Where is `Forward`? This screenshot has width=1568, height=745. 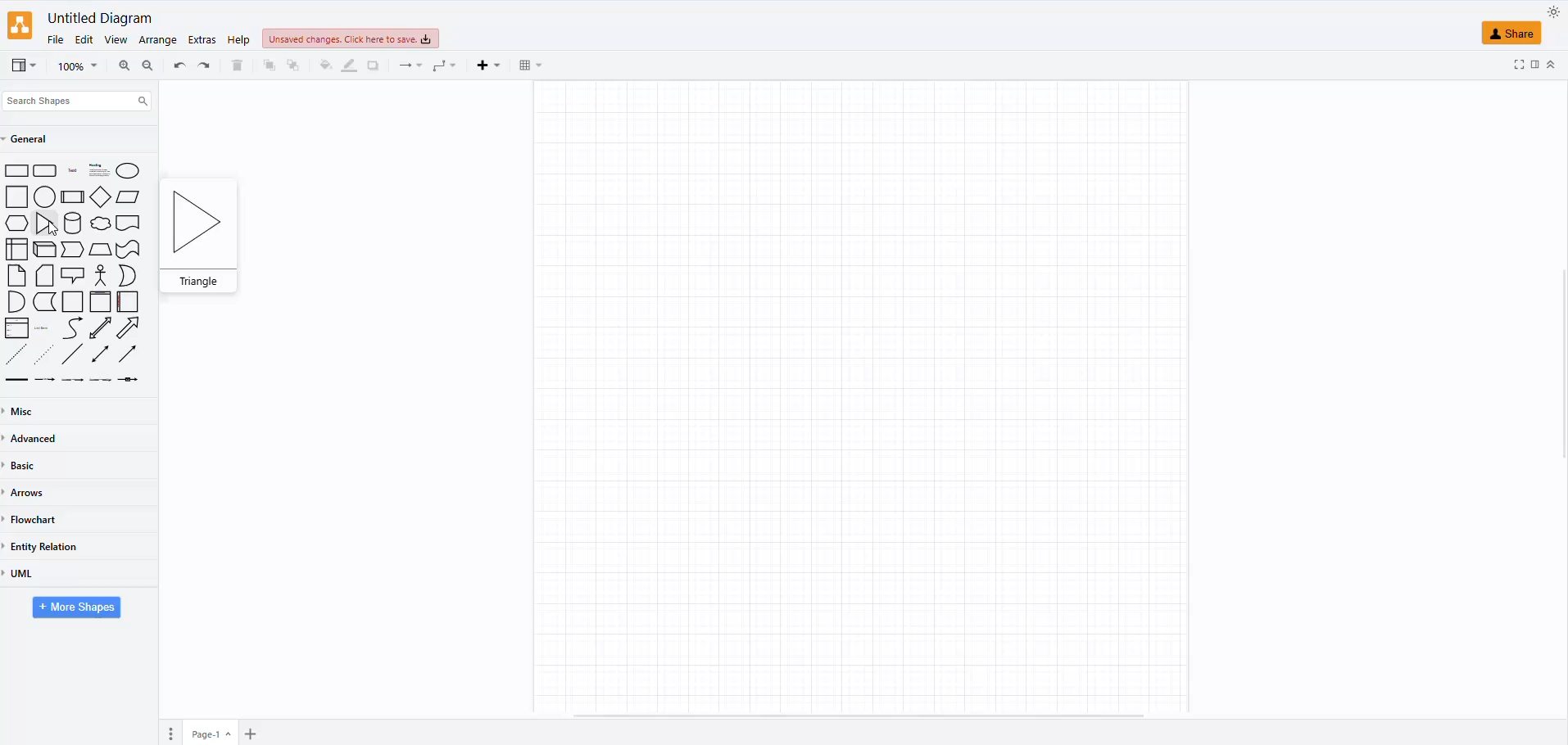 Forward is located at coordinates (73, 249).